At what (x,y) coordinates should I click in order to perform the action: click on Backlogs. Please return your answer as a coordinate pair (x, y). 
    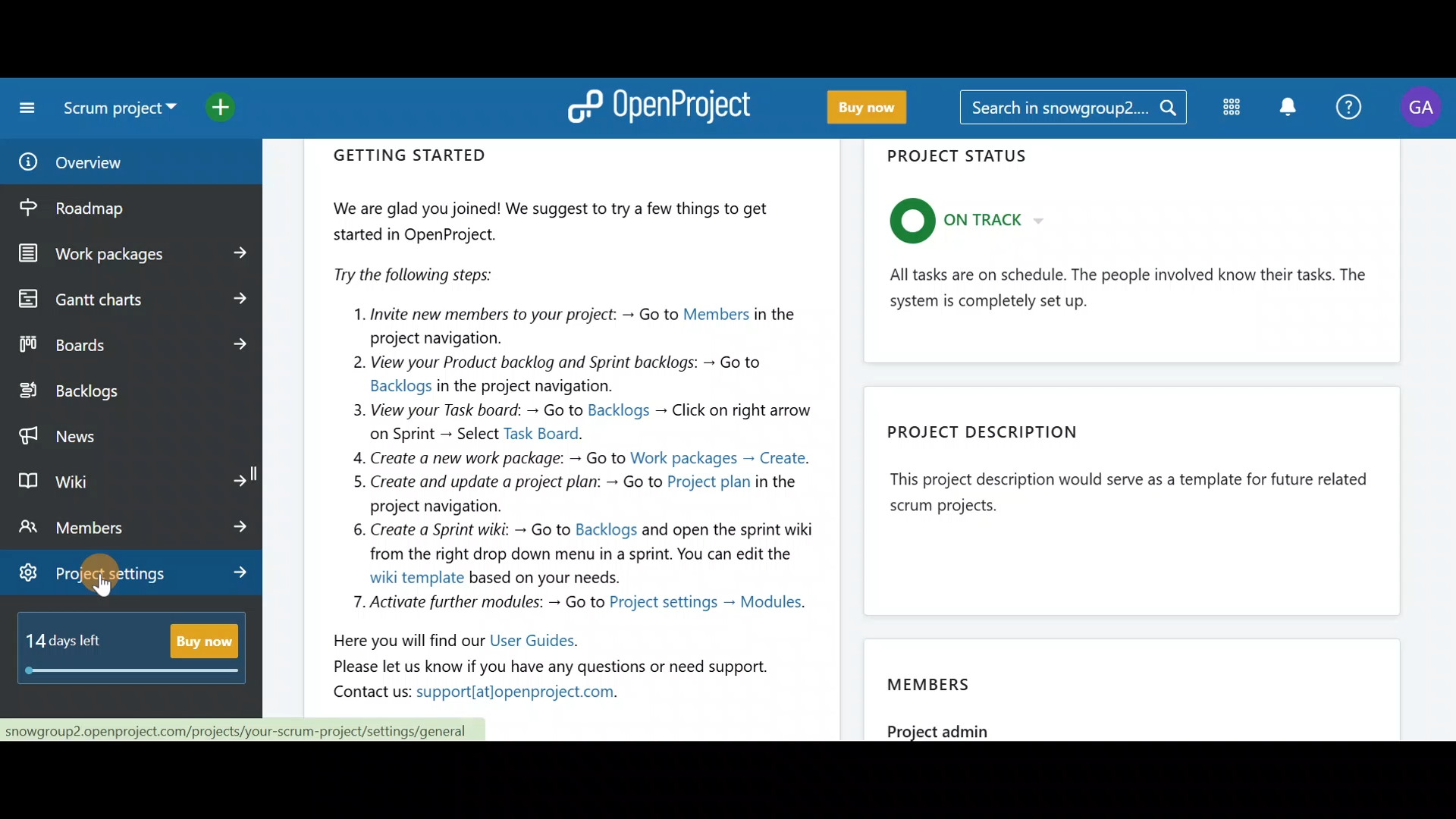
    Looking at the image, I should click on (118, 392).